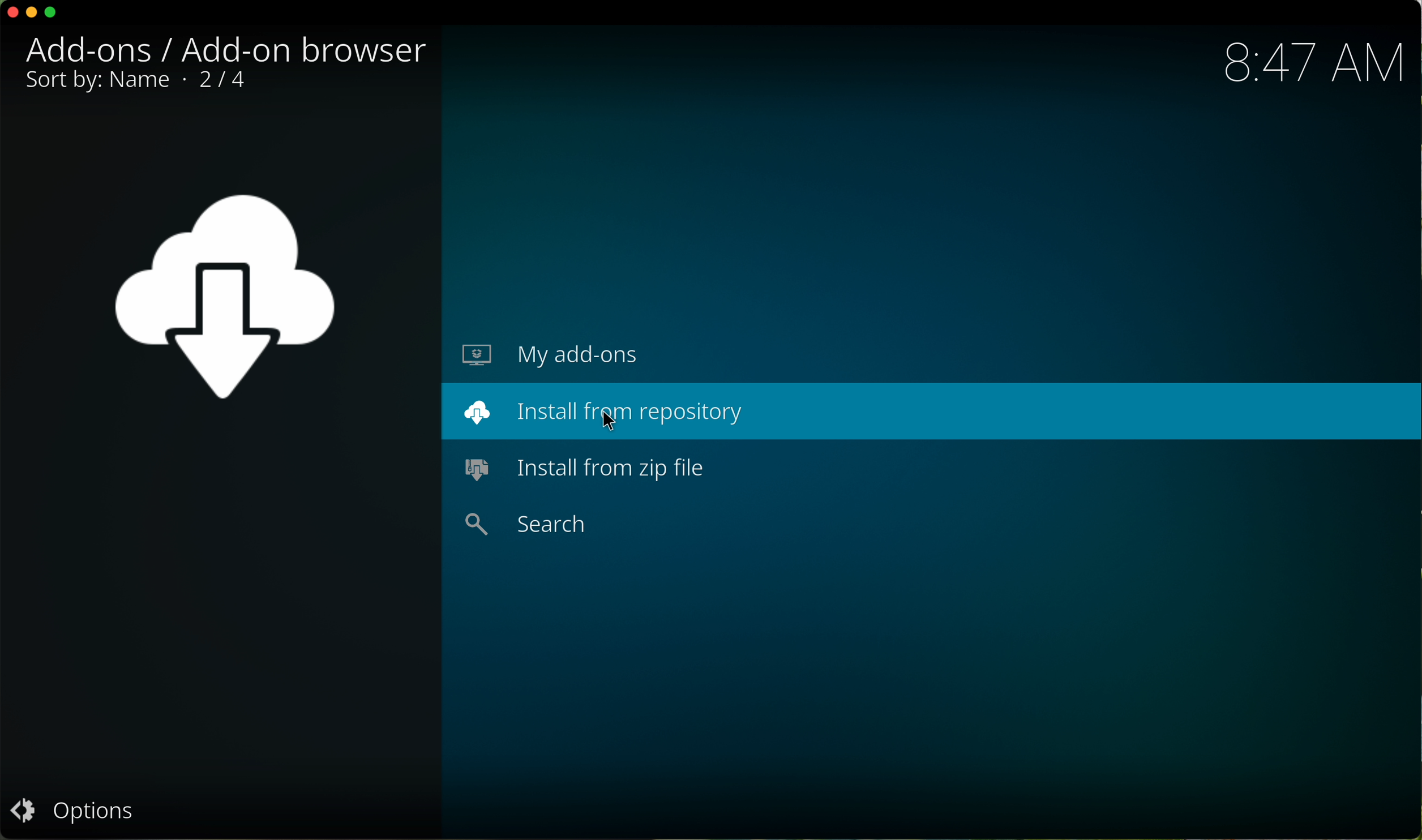 The image size is (1422, 840). Describe the element at coordinates (224, 50) in the screenshot. I see `Add-ons / Add-on browser` at that location.